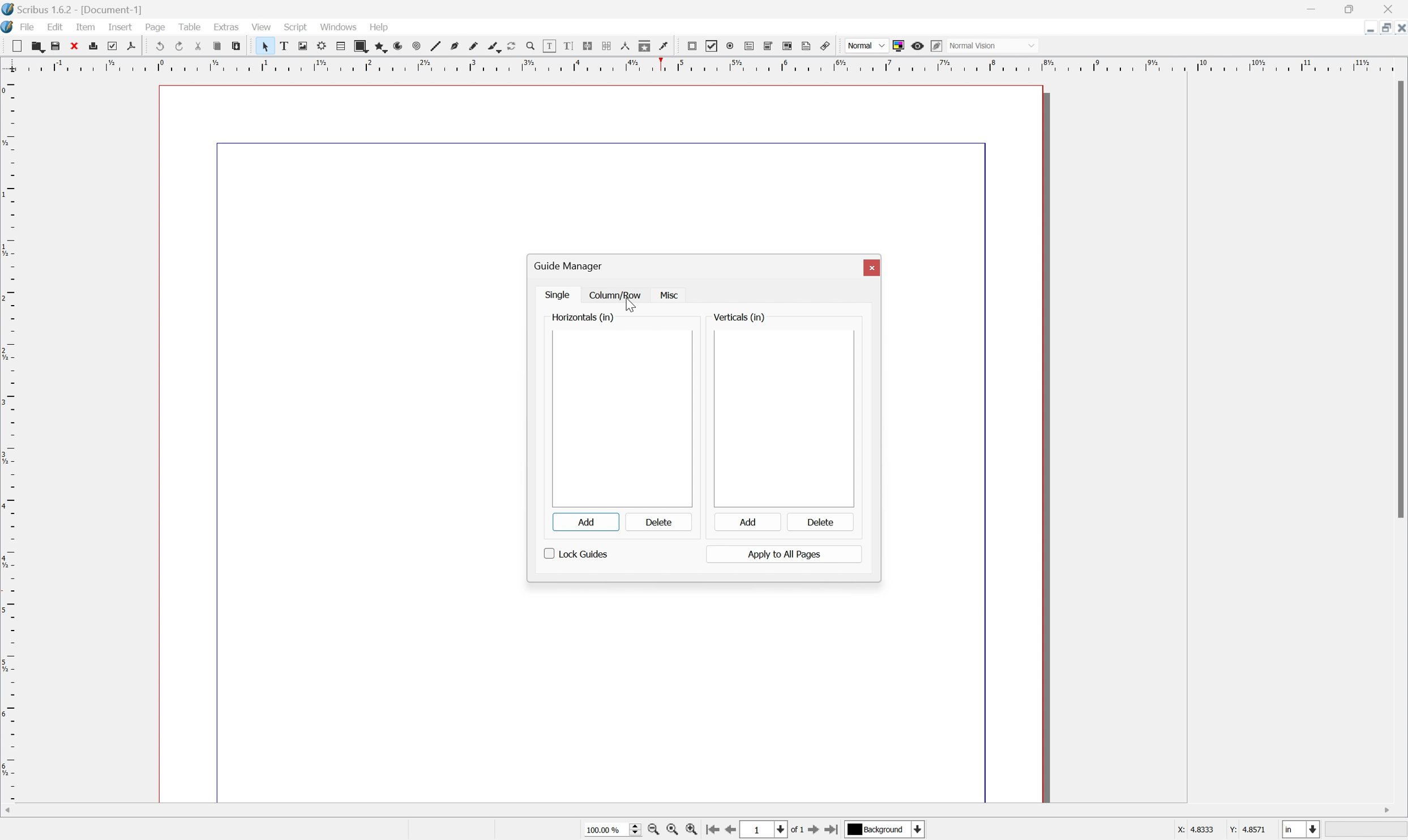 This screenshot has height=840, width=1408. What do you see at coordinates (296, 27) in the screenshot?
I see `script` at bounding box center [296, 27].